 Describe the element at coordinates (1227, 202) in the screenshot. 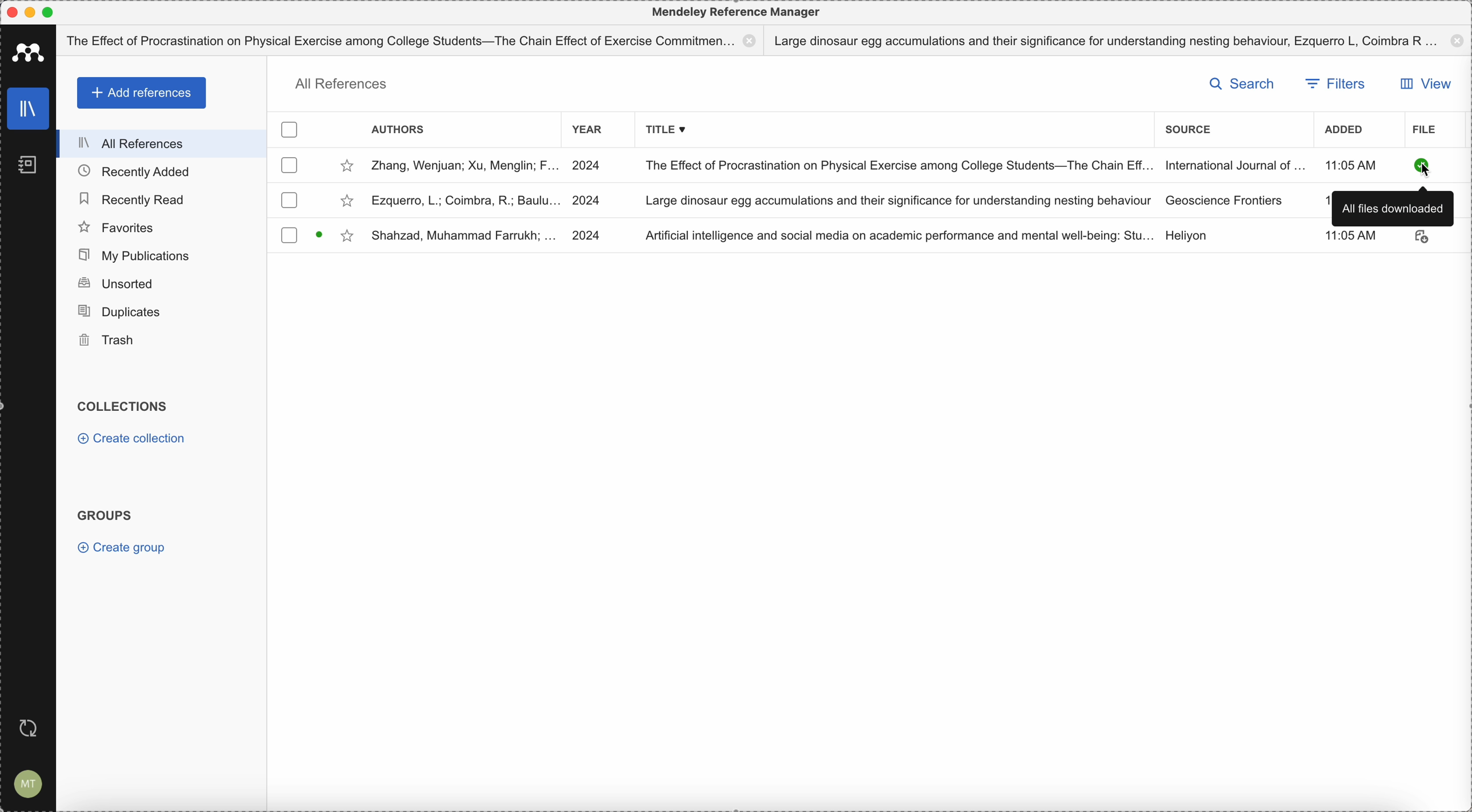

I see `Geoscience Frontiers` at that location.